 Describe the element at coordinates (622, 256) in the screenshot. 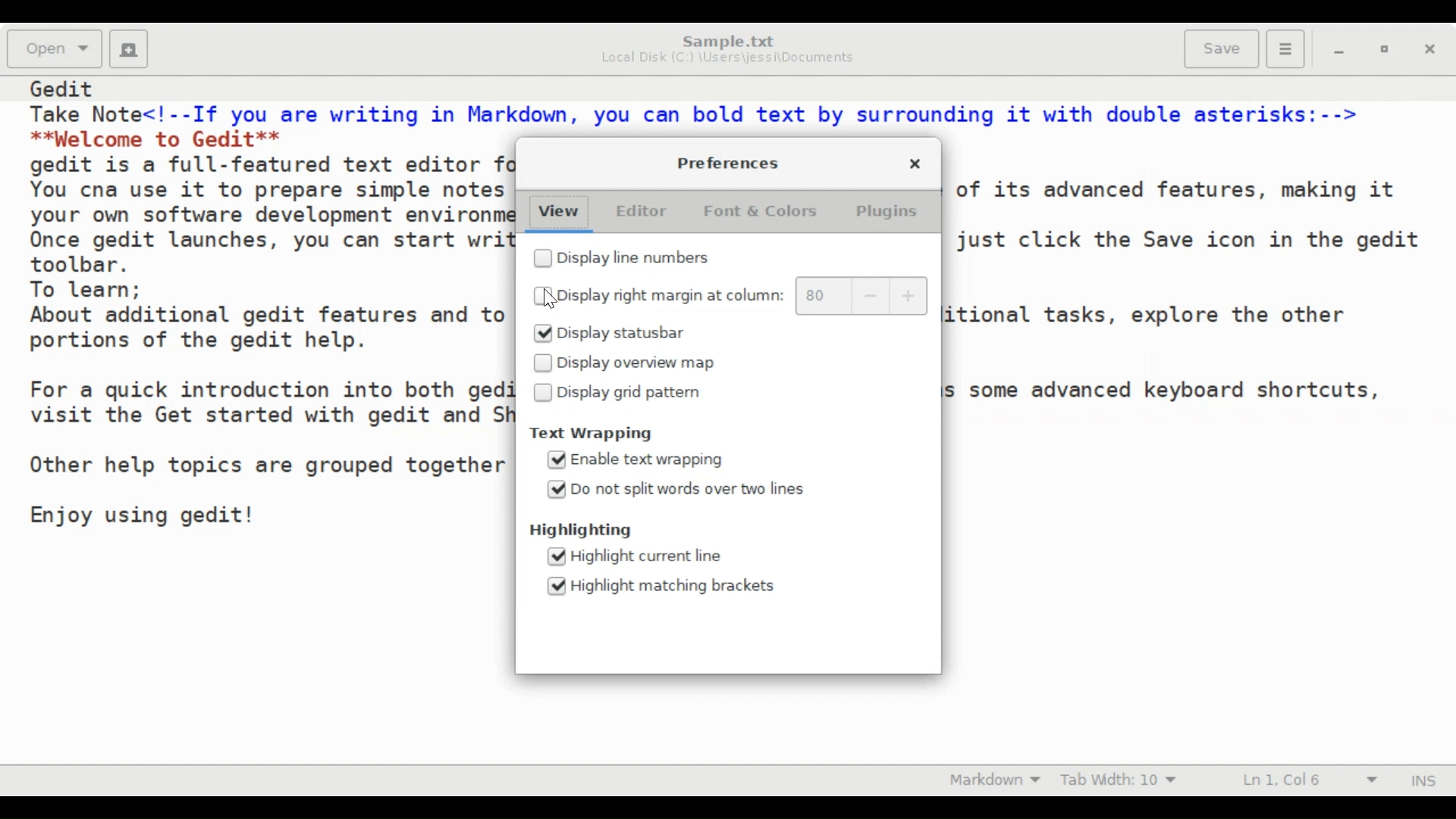

I see `(un)select Display line numbers` at that location.